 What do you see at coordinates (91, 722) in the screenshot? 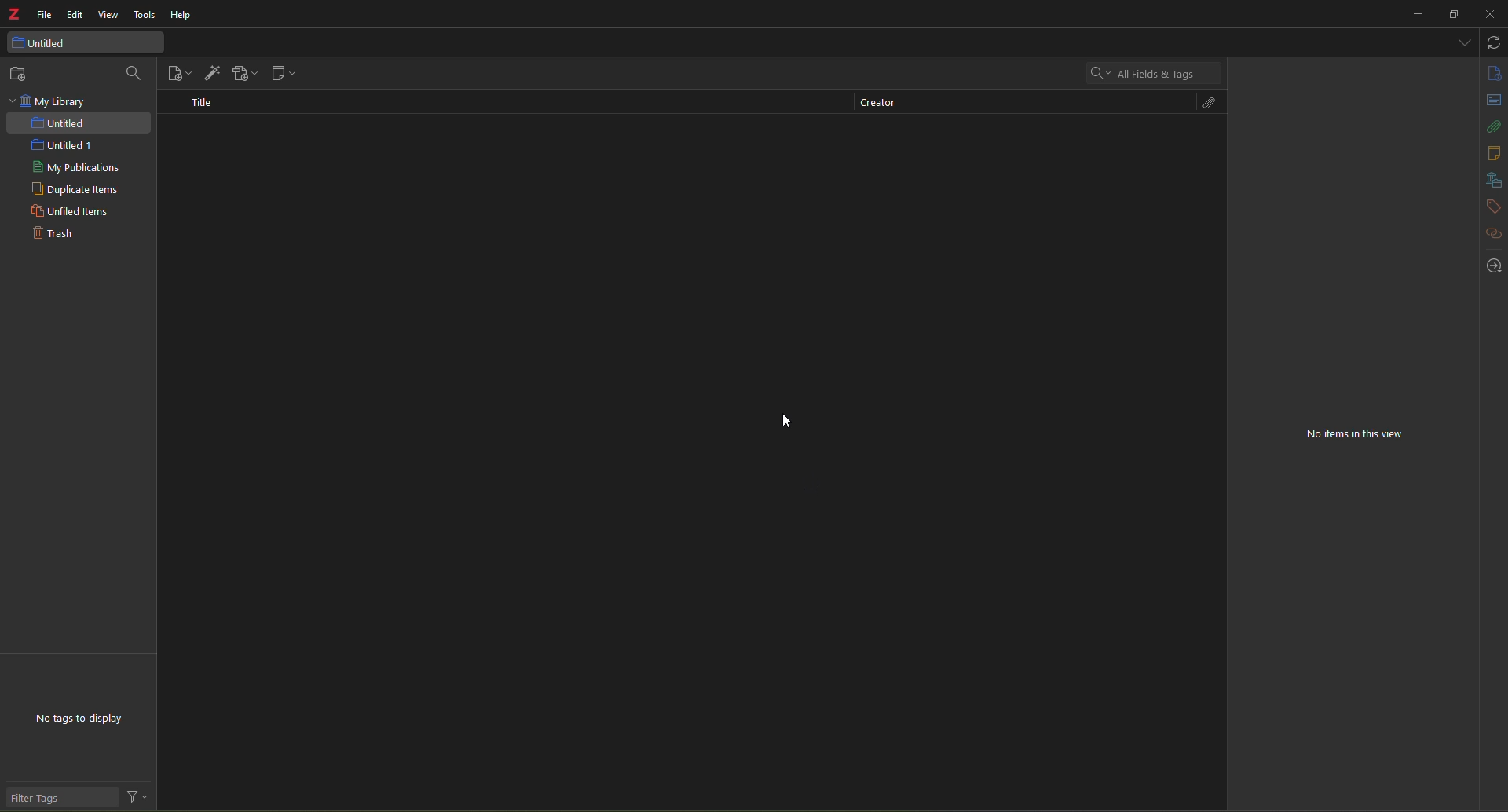
I see `no tags` at bounding box center [91, 722].